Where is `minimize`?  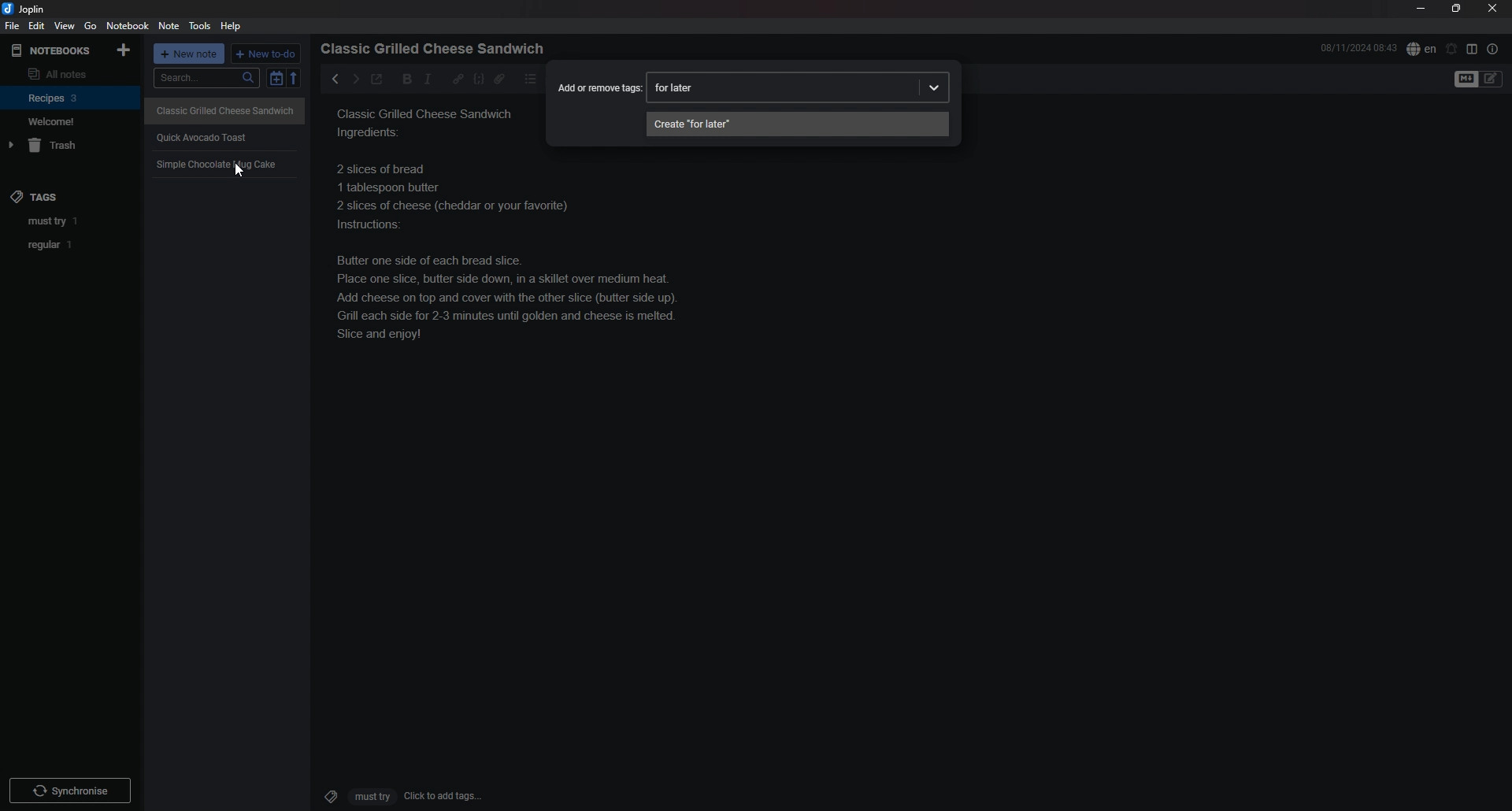 minimize is located at coordinates (1421, 9).